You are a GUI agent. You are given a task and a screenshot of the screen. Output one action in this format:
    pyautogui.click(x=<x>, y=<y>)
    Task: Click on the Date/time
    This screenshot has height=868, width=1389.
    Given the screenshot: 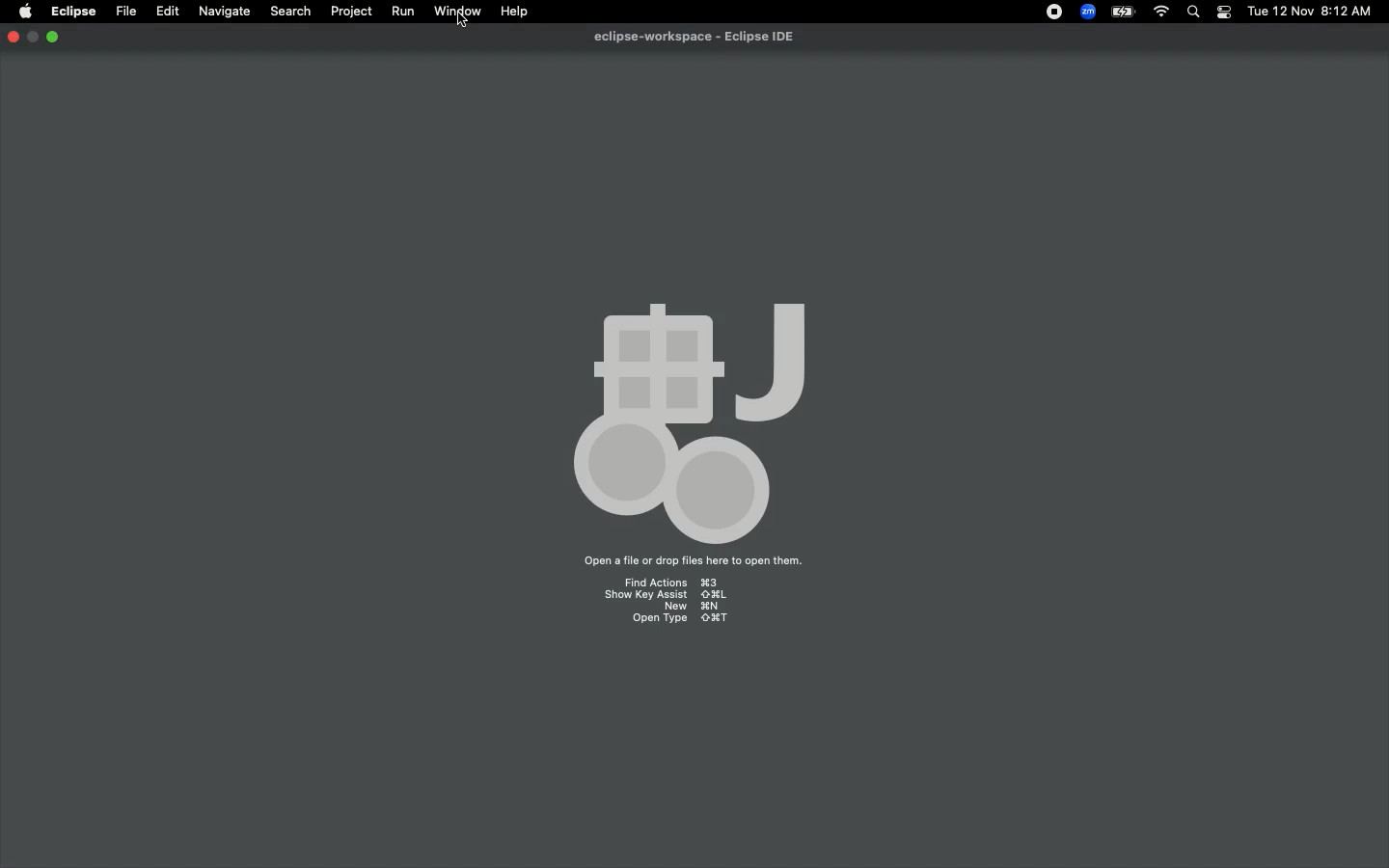 What is the action you would take?
    pyautogui.click(x=1309, y=11)
    